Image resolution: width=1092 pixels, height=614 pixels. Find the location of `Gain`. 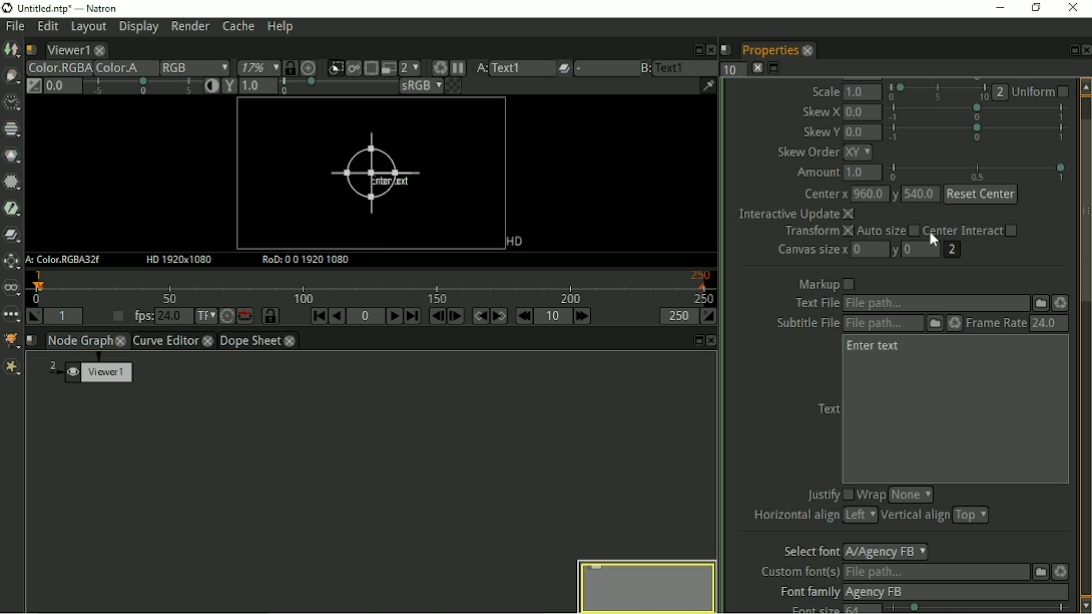

Gain is located at coordinates (61, 85).